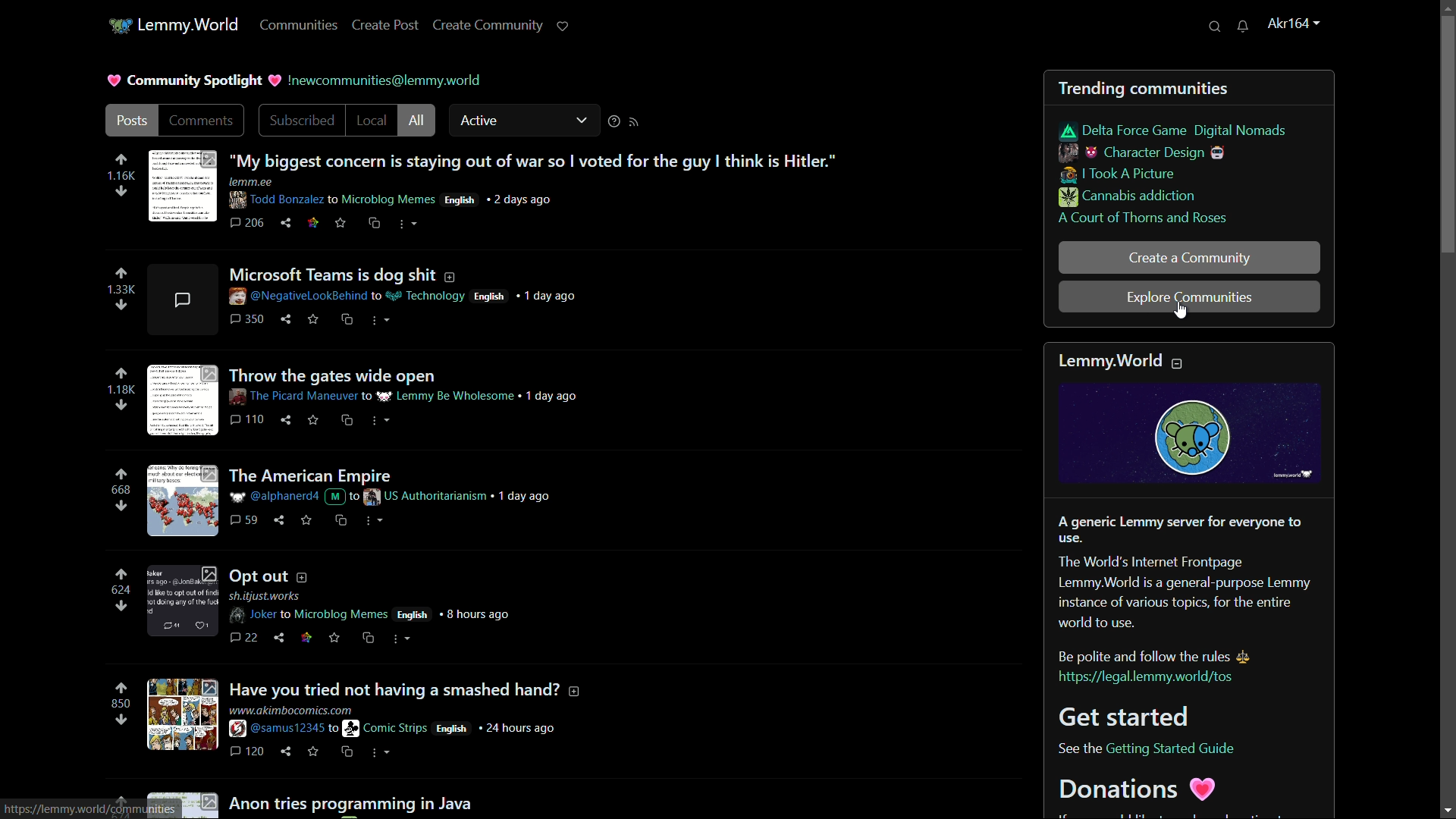 The height and width of the screenshot is (819, 1456). What do you see at coordinates (403, 639) in the screenshot?
I see `more` at bounding box center [403, 639].